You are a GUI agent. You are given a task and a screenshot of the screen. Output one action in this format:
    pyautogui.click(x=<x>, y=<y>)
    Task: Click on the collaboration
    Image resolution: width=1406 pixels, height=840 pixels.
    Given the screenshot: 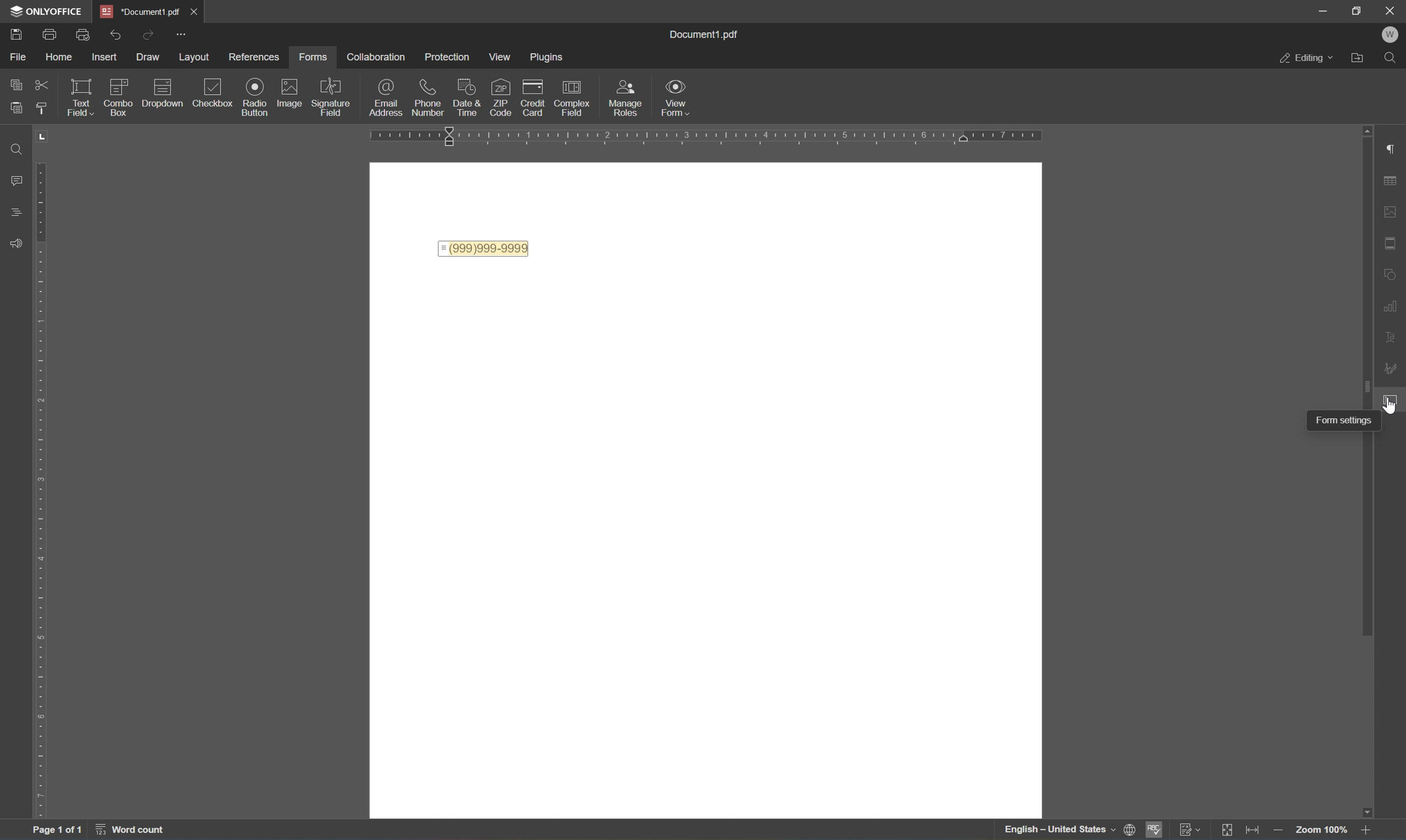 What is the action you would take?
    pyautogui.click(x=377, y=57)
    